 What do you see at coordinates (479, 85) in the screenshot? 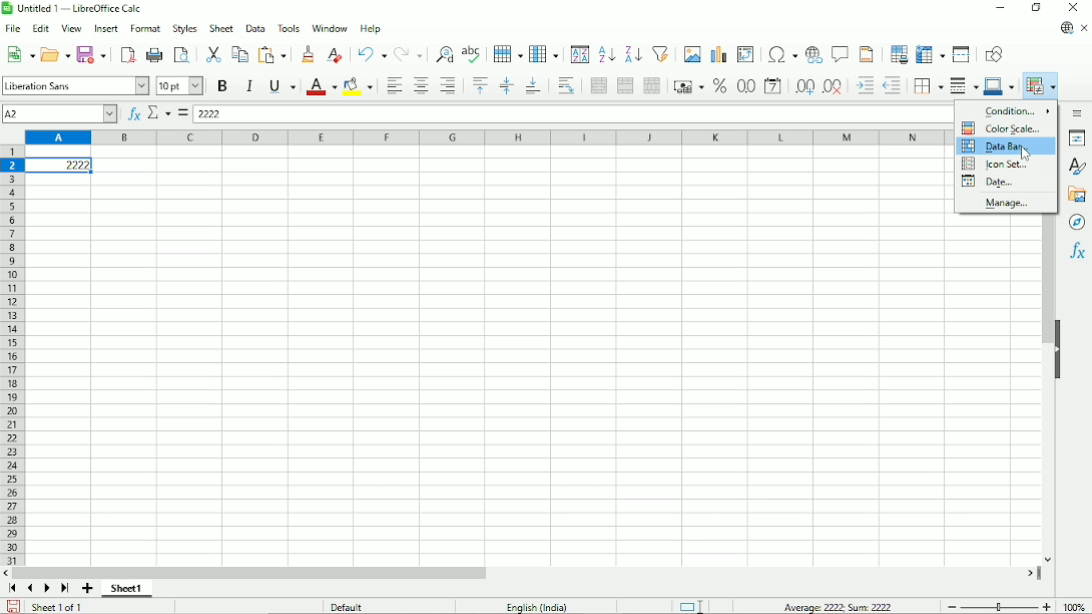
I see `Align top` at bounding box center [479, 85].